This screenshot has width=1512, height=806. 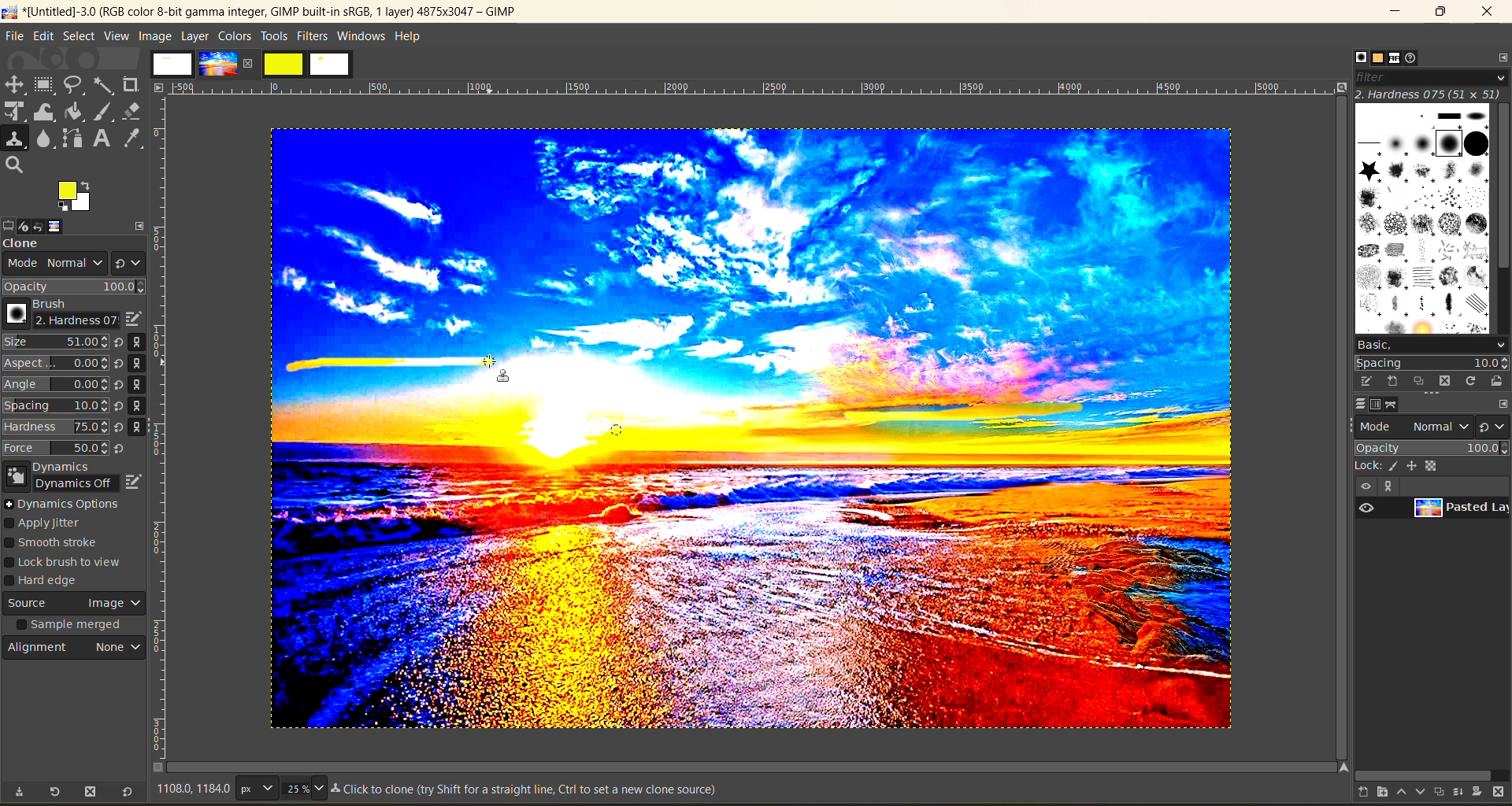 I want to click on horizontal scroll bar, so click(x=1423, y=773).